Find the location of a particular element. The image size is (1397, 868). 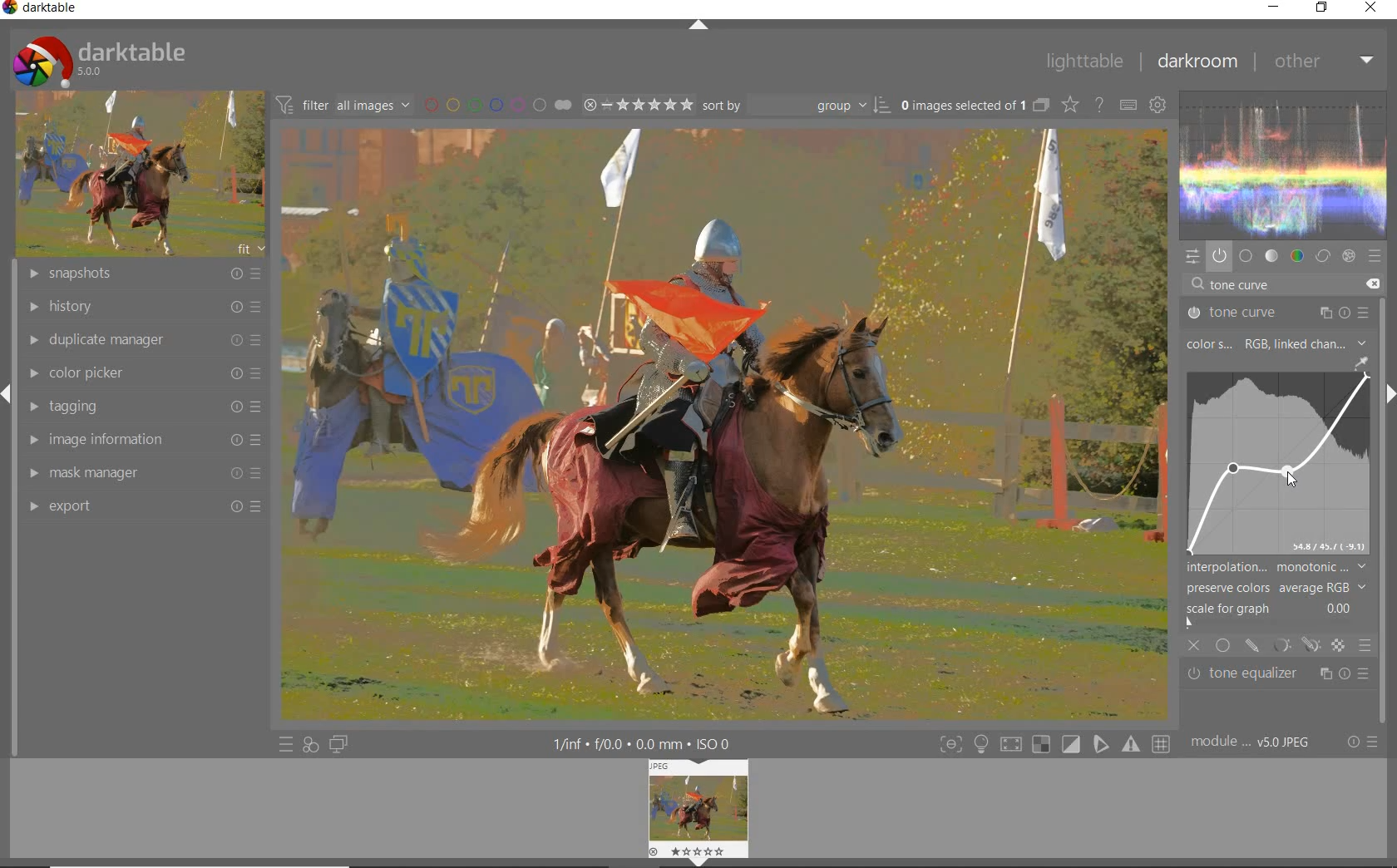

toggle modes is located at coordinates (1051, 744).